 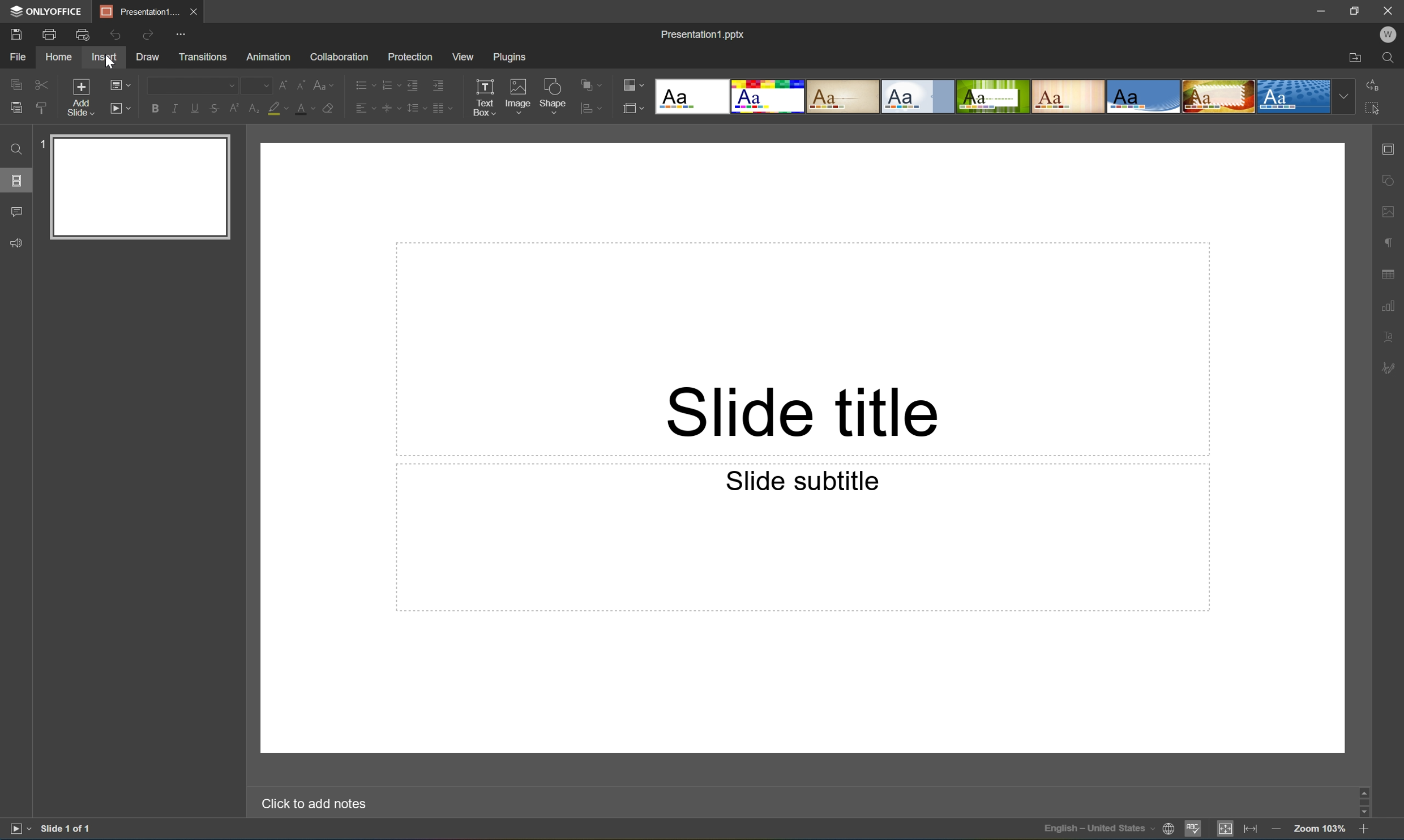 I want to click on Chart settings, so click(x=1391, y=306).